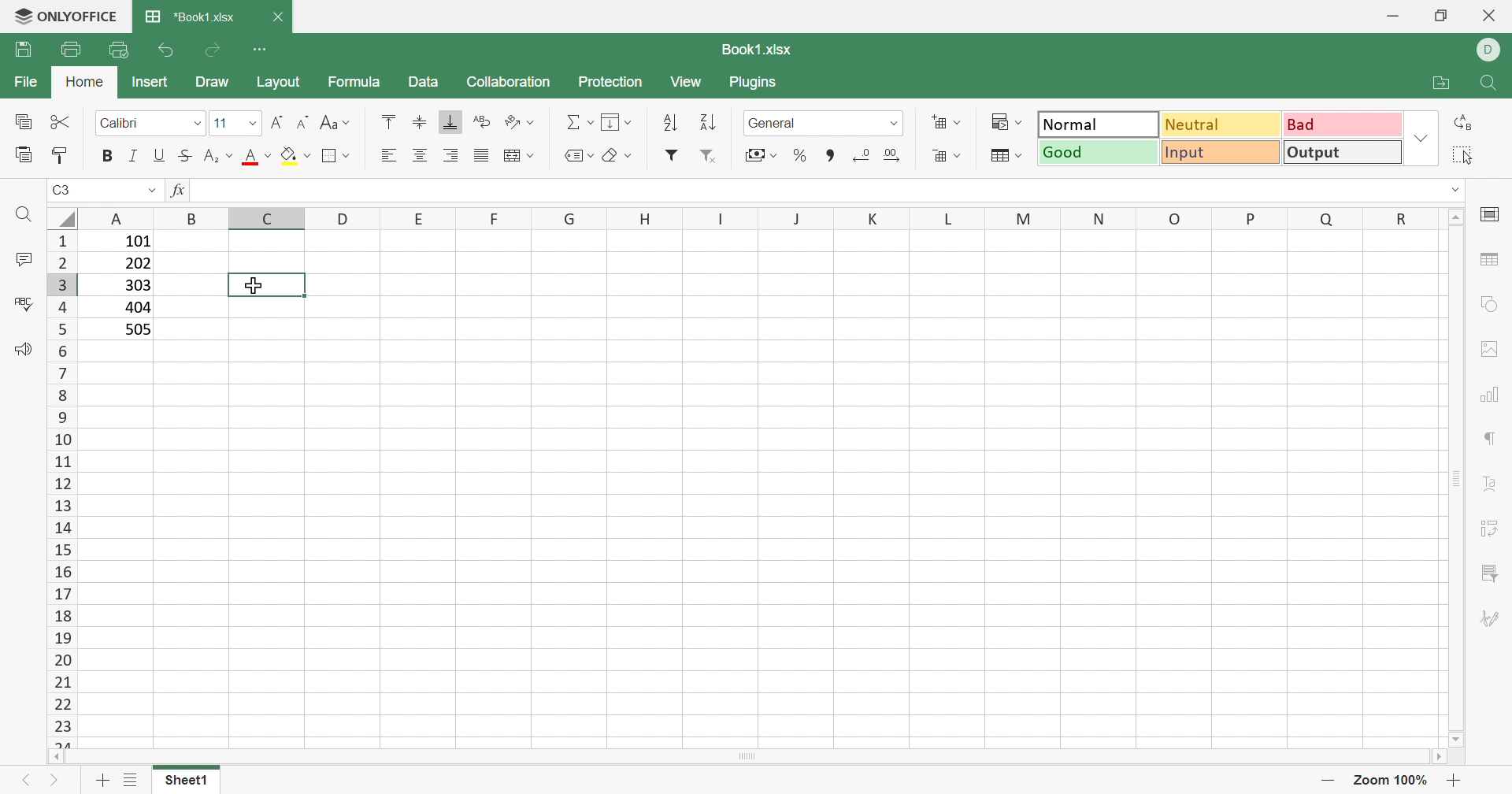 This screenshot has width=1512, height=794. I want to click on Insert cells, so click(947, 123).